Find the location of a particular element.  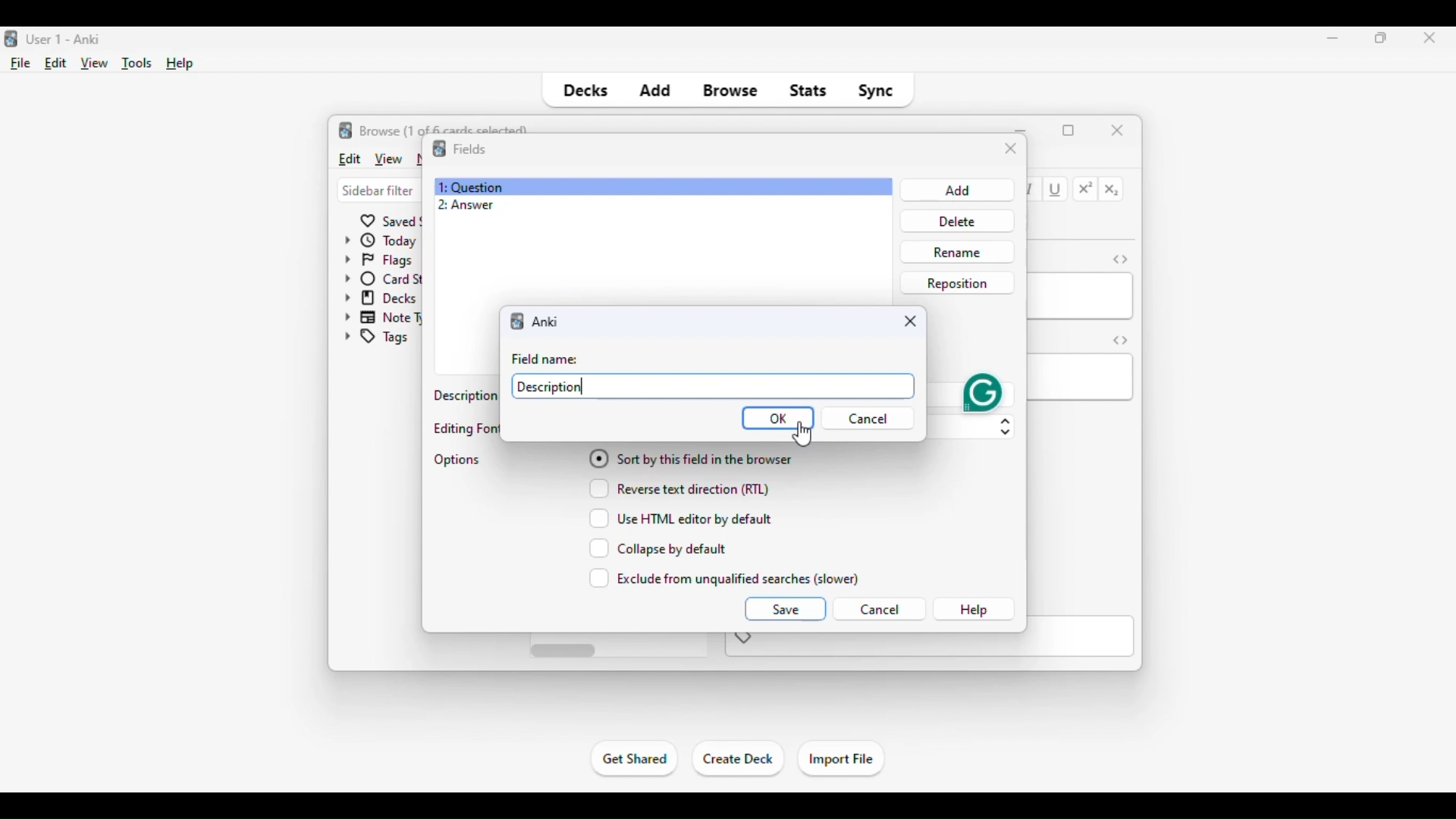

close is located at coordinates (1425, 39).